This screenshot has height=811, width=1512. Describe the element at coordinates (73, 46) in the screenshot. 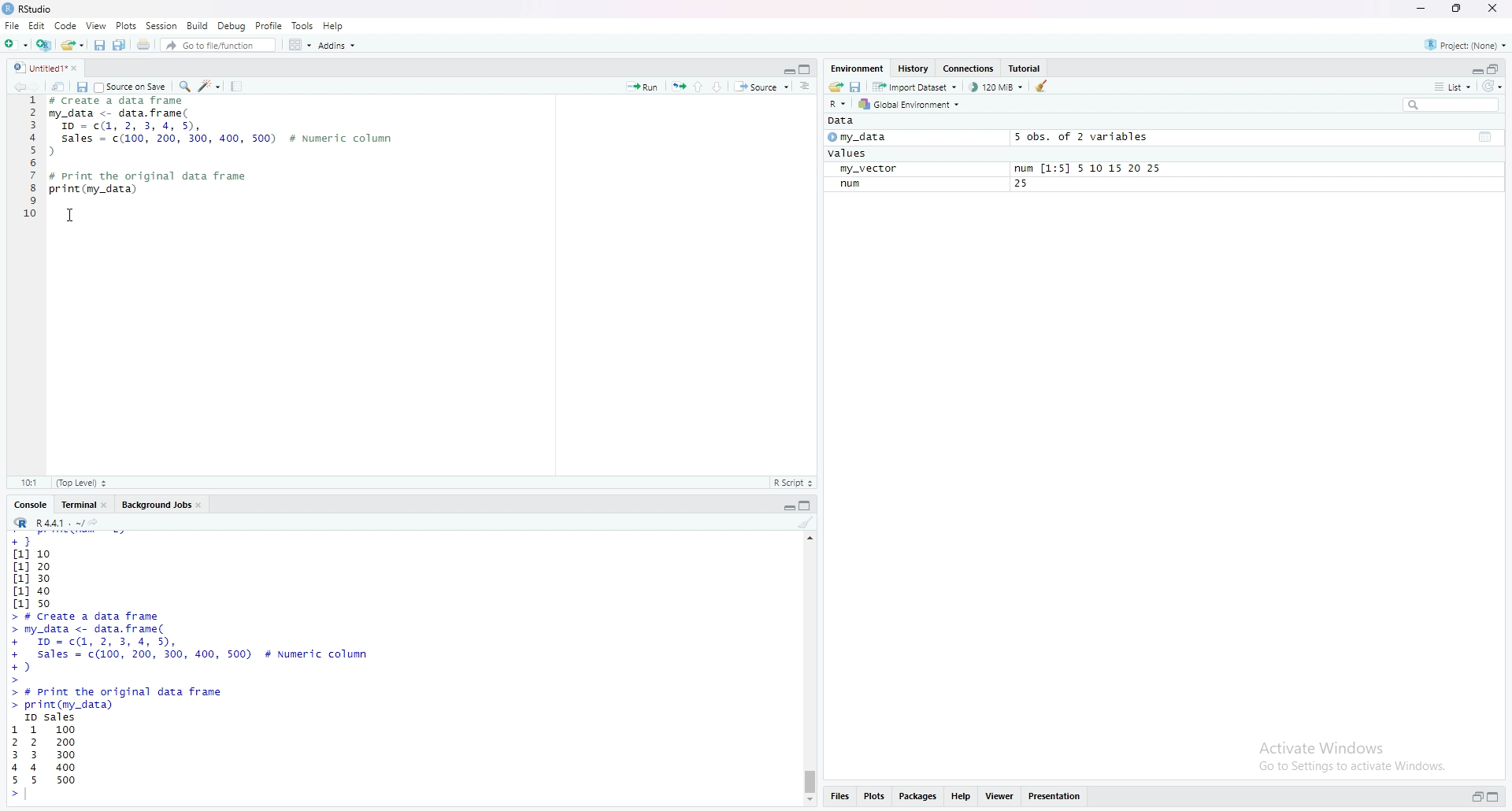

I see `Open an existing file` at that location.